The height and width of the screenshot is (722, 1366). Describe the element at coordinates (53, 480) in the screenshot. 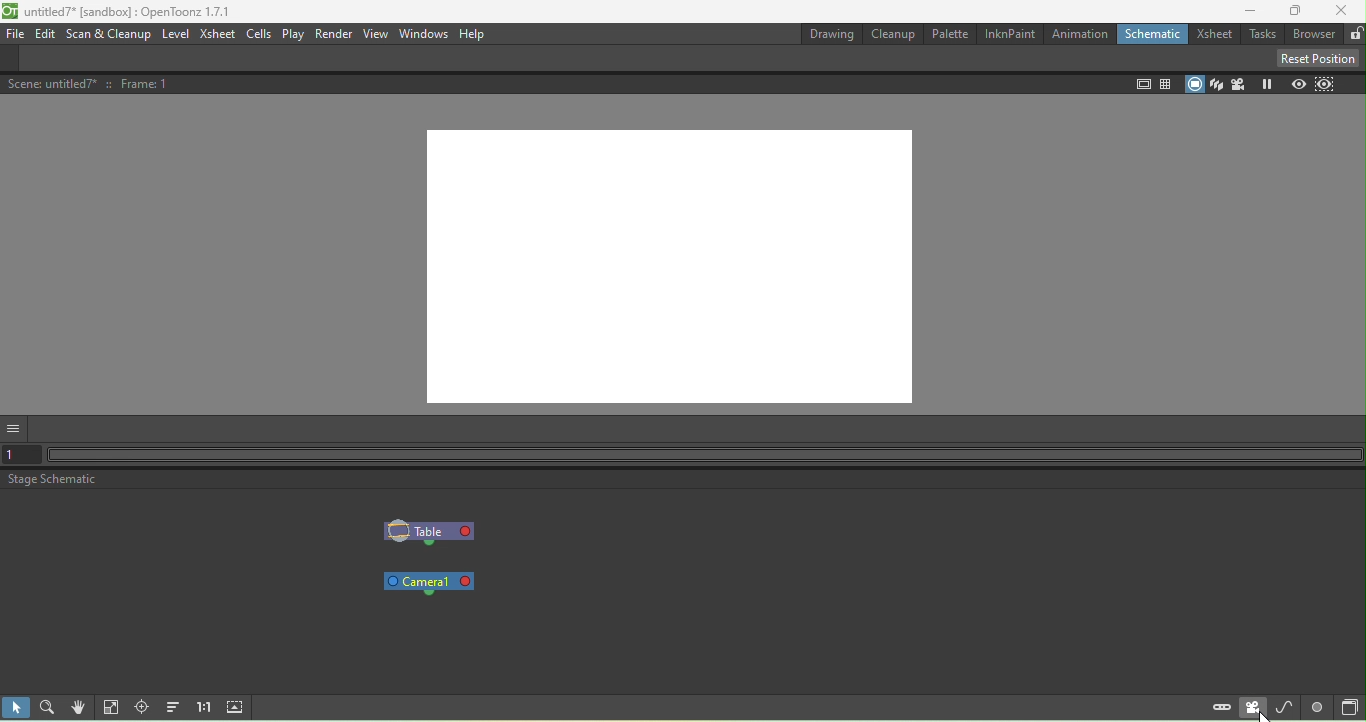

I see `Stage schematic` at that location.